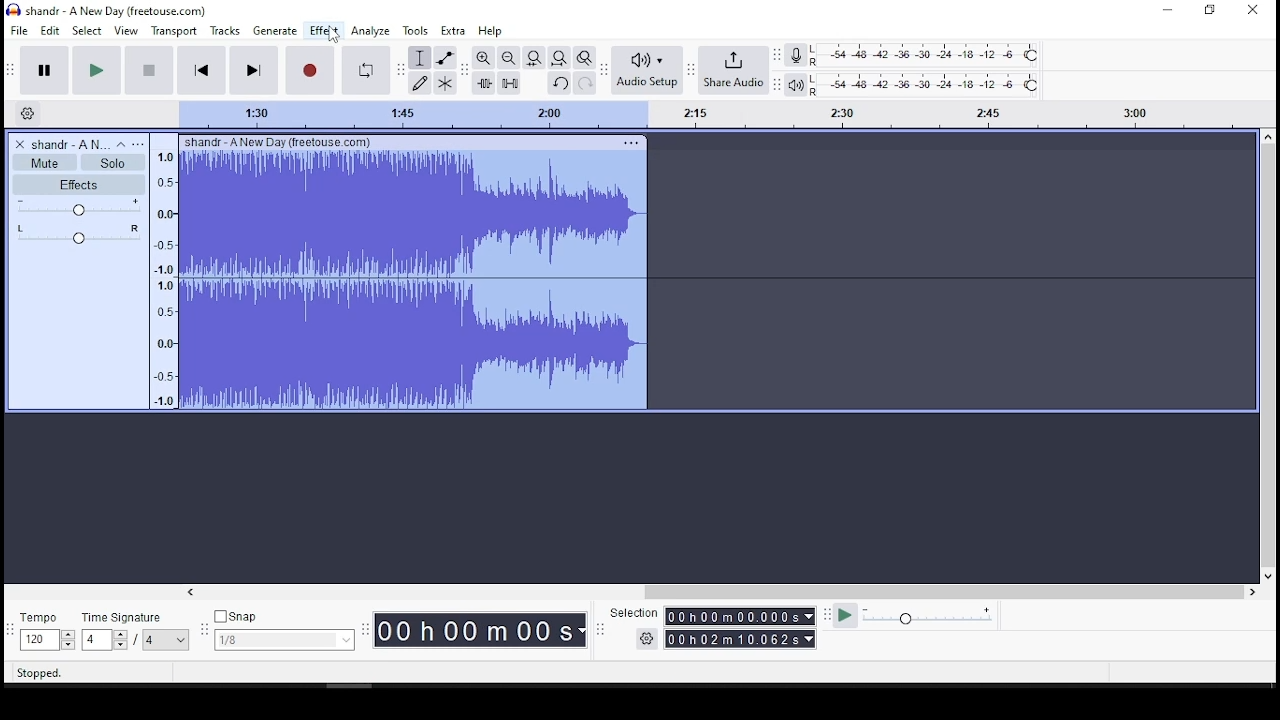  What do you see at coordinates (920, 618) in the screenshot?
I see `playback speed` at bounding box center [920, 618].